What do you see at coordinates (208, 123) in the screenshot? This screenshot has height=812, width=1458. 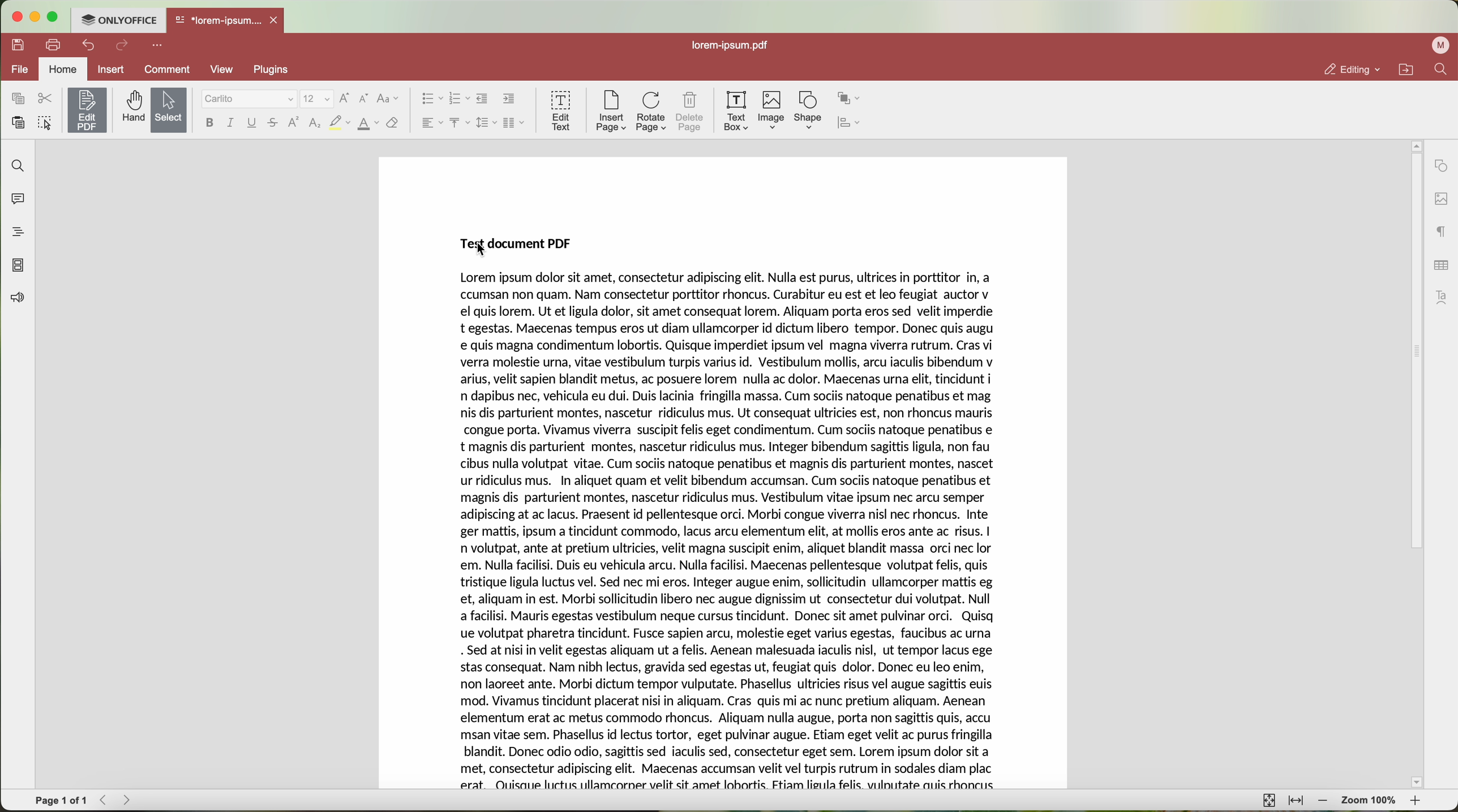 I see `bold` at bounding box center [208, 123].